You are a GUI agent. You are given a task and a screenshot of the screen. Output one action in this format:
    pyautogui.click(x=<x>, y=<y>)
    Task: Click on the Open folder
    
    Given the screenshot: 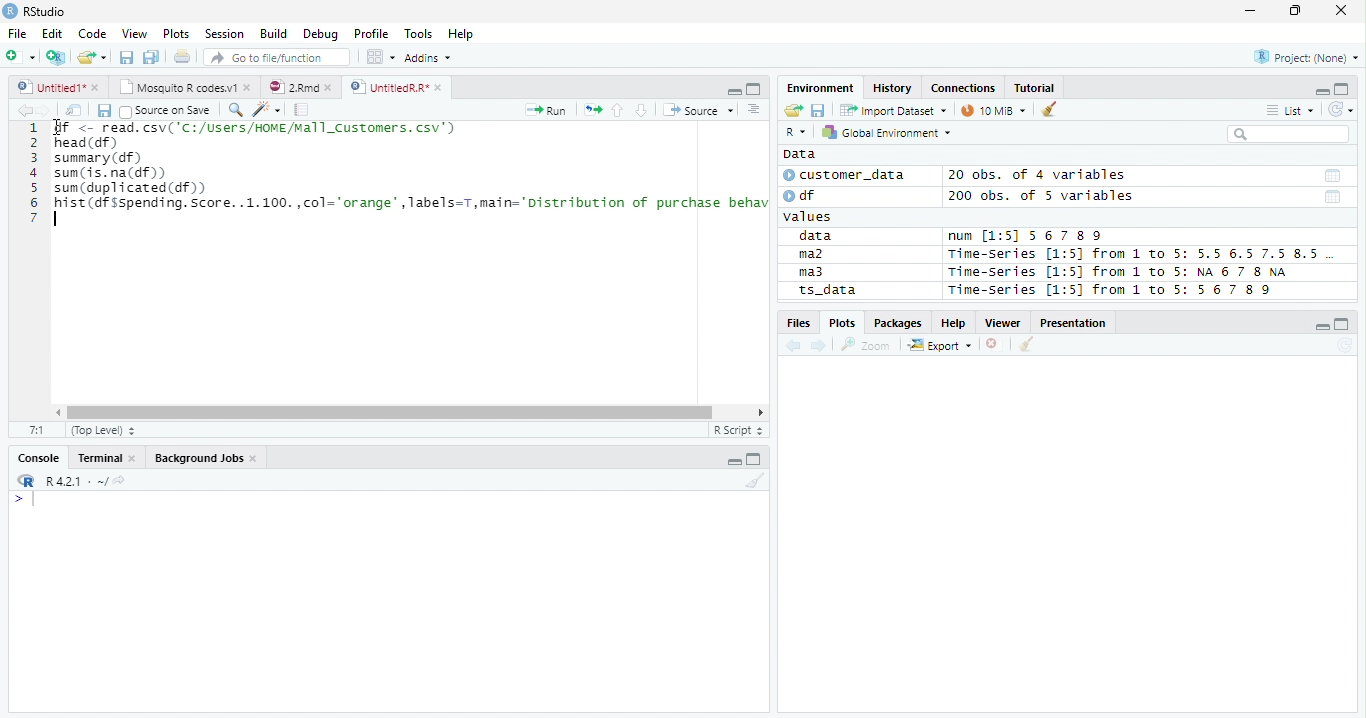 What is the action you would take?
    pyautogui.click(x=791, y=111)
    